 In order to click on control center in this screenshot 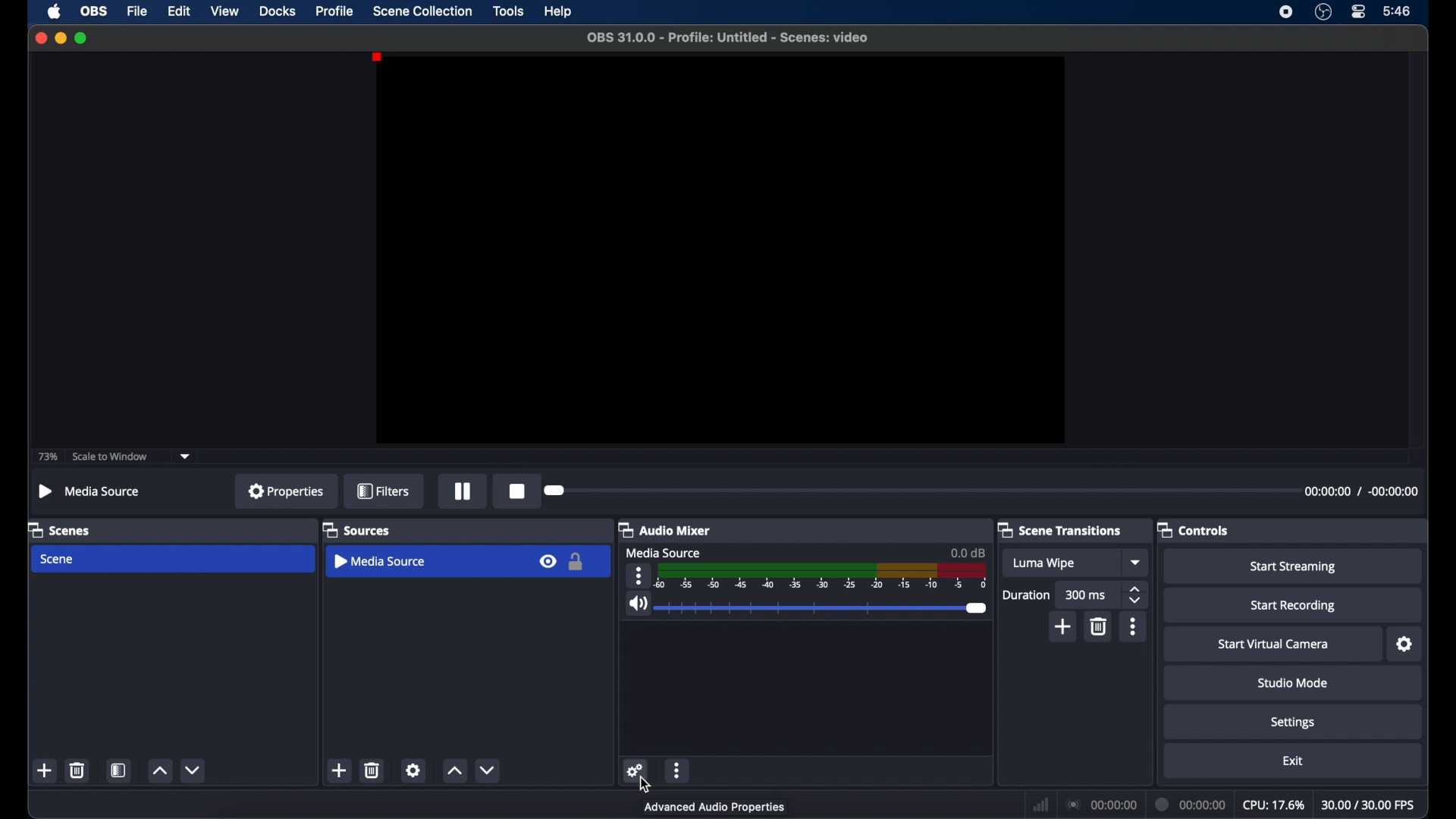, I will do `click(1359, 12)`.